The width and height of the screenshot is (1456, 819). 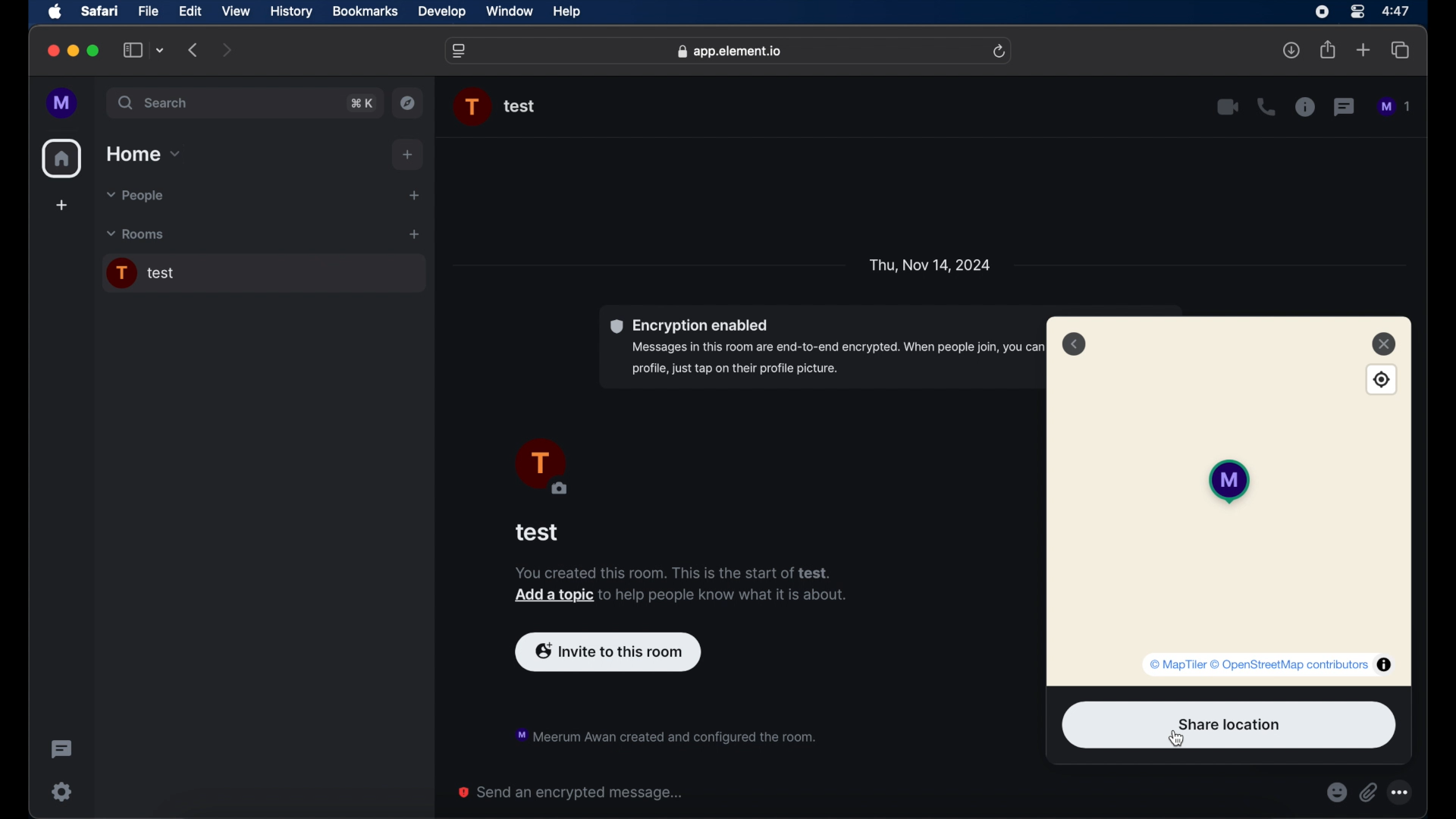 What do you see at coordinates (409, 102) in the screenshot?
I see `explore rooms` at bounding box center [409, 102].